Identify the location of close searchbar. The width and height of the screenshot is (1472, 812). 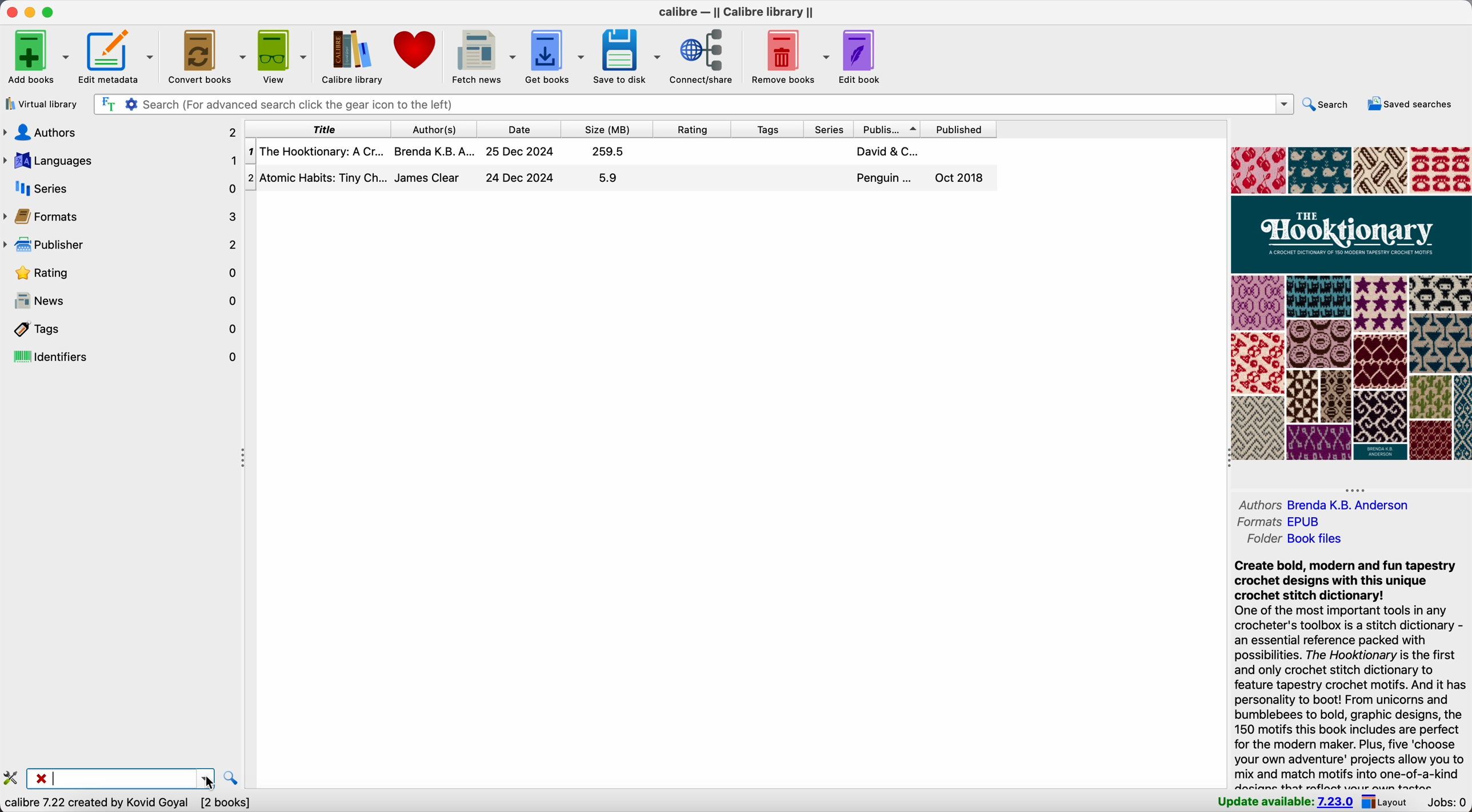
(39, 778).